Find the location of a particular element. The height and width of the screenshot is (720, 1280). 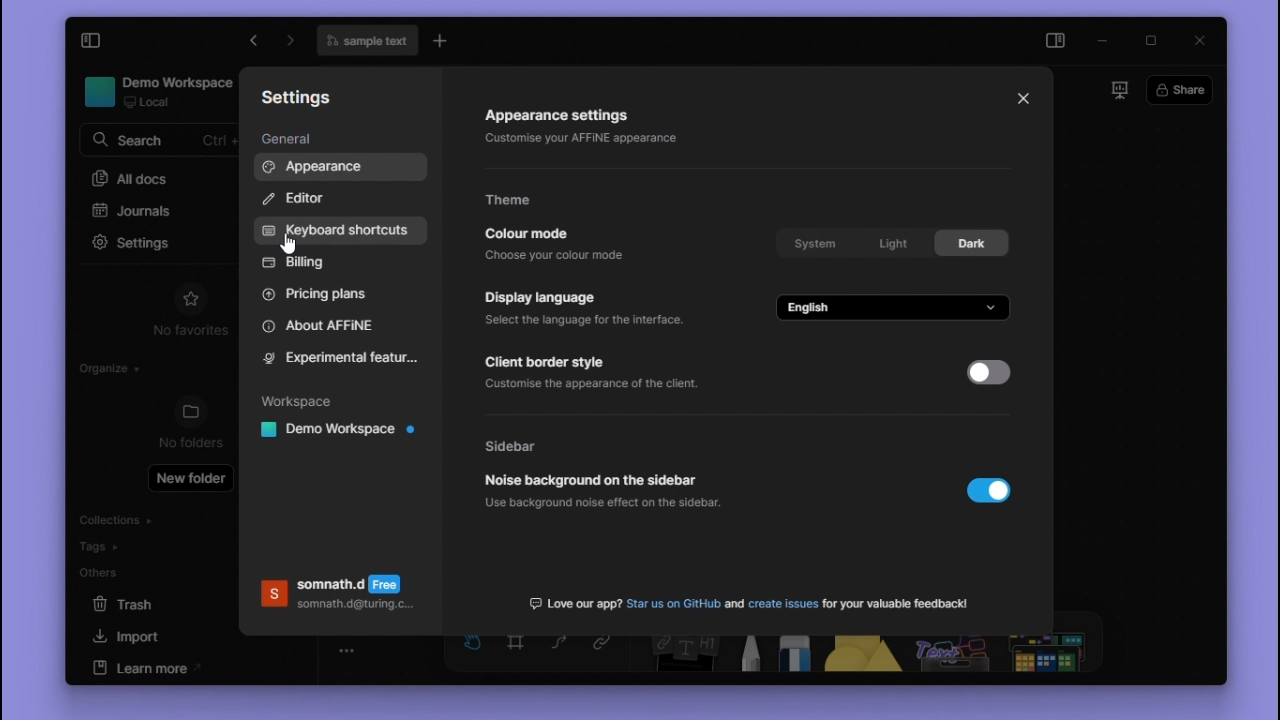

no folders is located at coordinates (188, 441).